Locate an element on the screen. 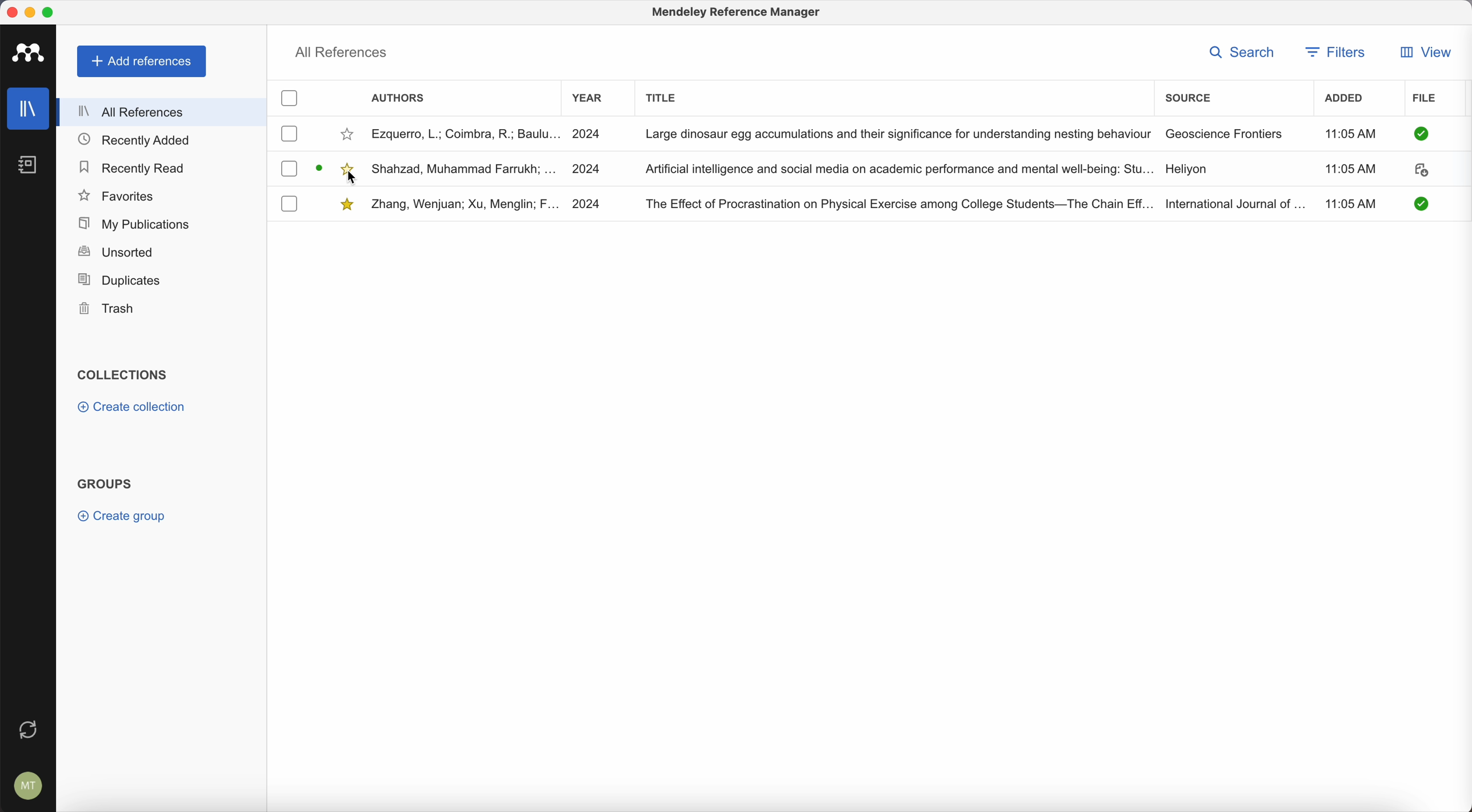 This screenshot has width=1472, height=812. download document is located at coordinates (1421, 172).